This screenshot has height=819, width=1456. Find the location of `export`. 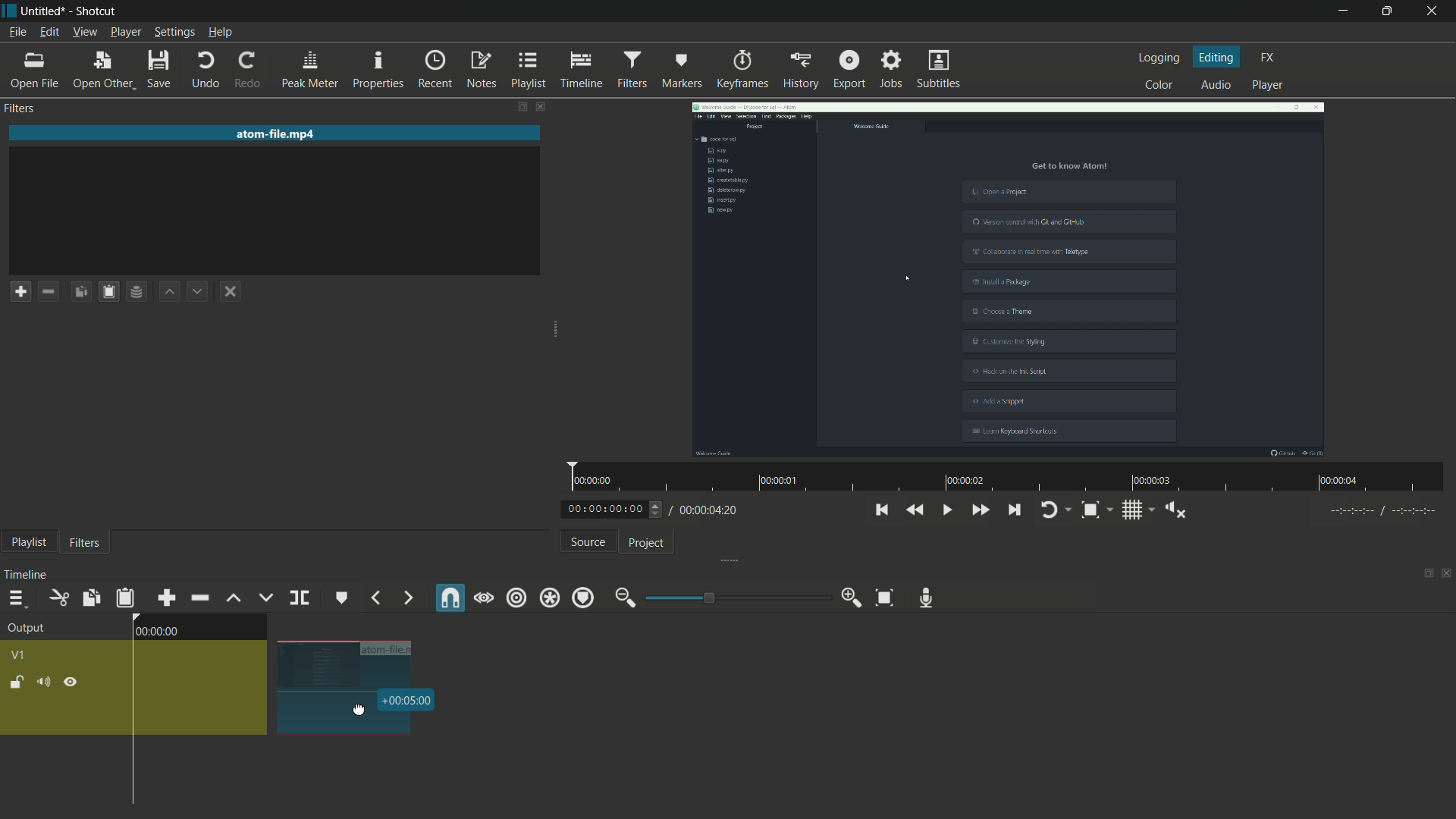

export is located at coordinates (849, 71).